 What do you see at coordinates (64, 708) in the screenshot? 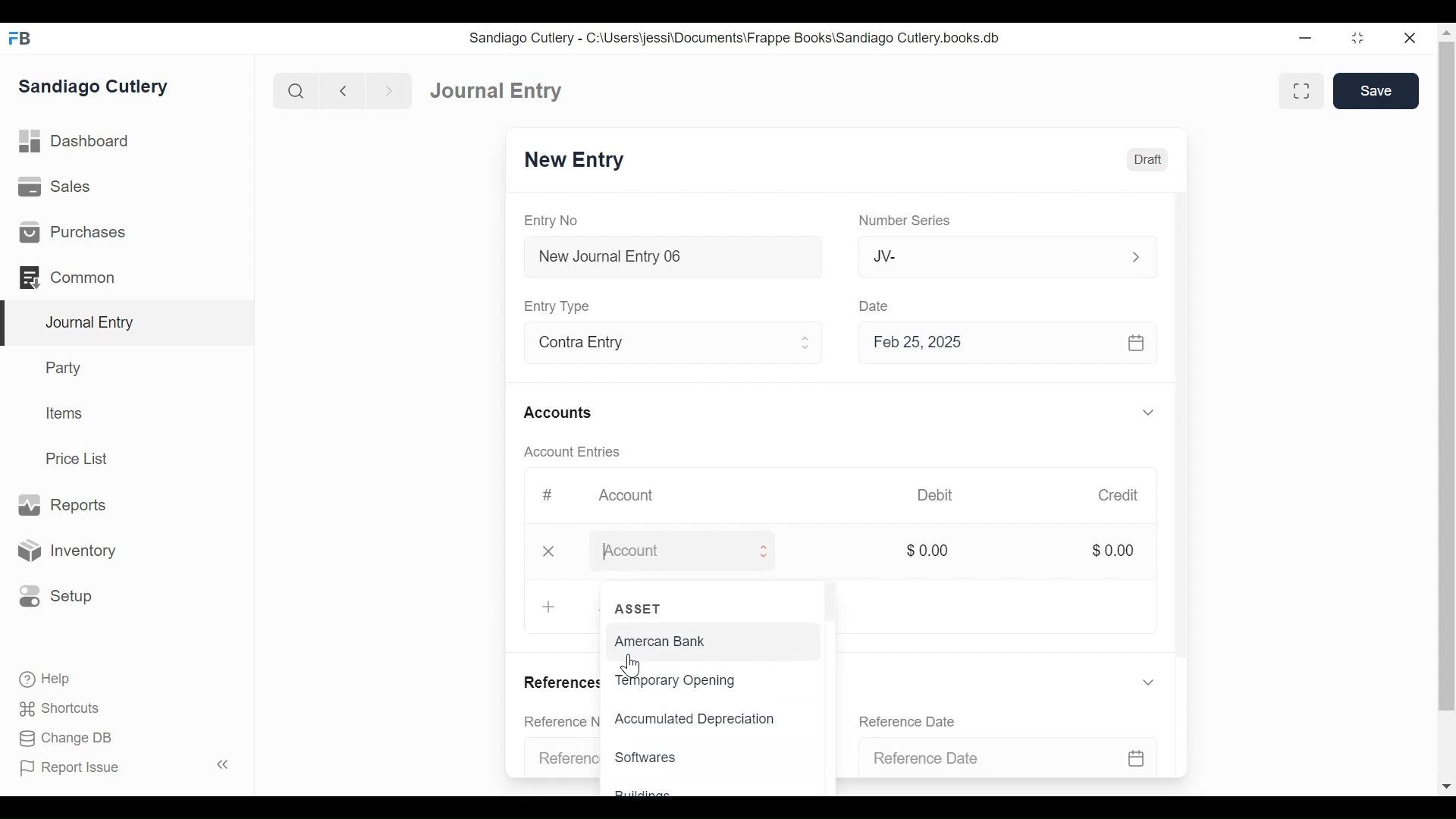
I see `Shortcuts` at bounding box center [64, 708].